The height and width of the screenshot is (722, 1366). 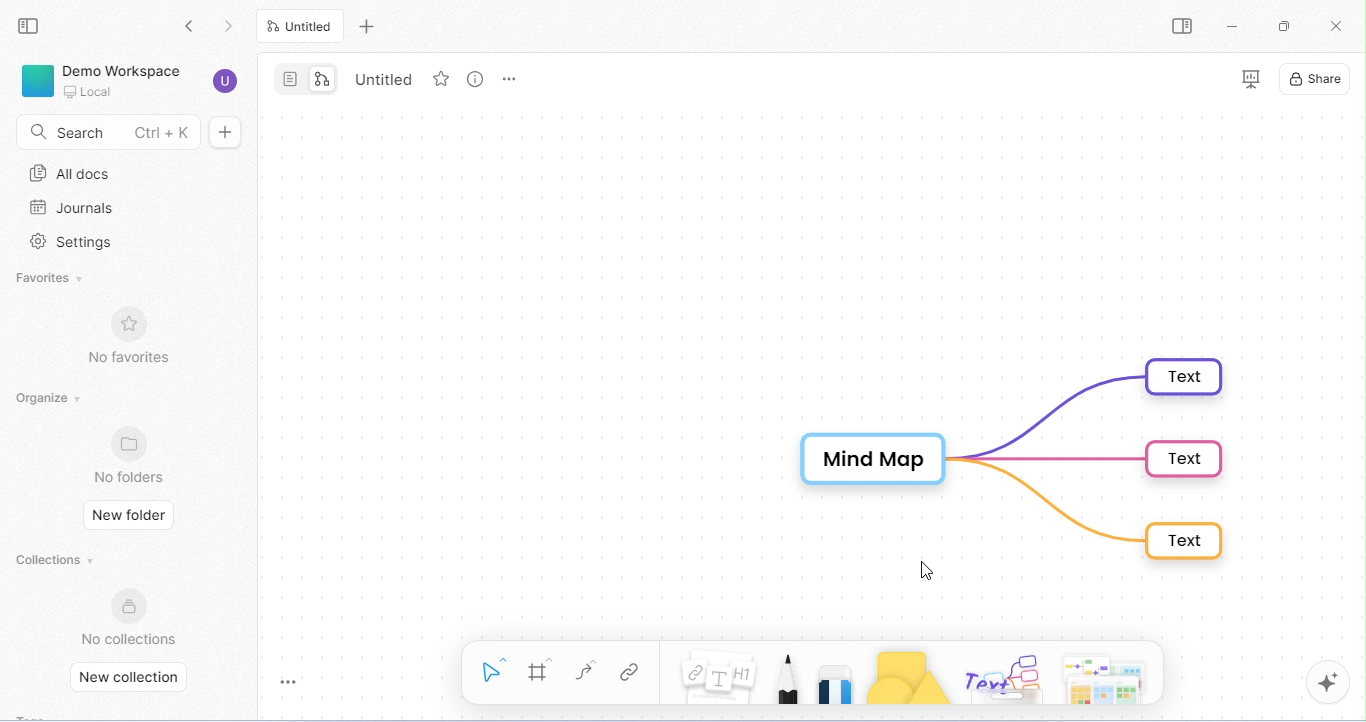 I want to click on new folder, so click(x=129, y=517).